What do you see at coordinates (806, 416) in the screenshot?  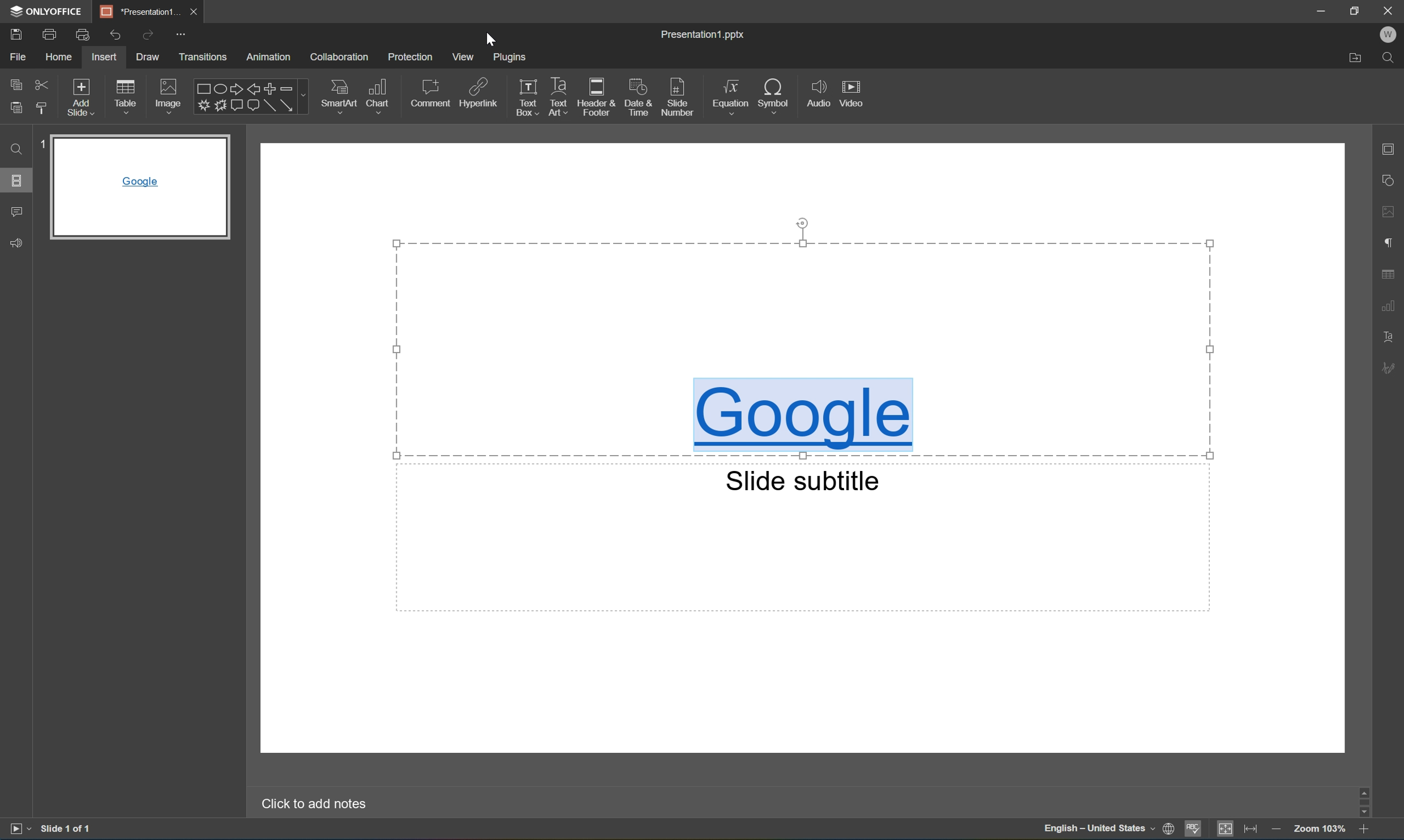 I see `Google Hyperlinked` at bounding box center [806, 416].